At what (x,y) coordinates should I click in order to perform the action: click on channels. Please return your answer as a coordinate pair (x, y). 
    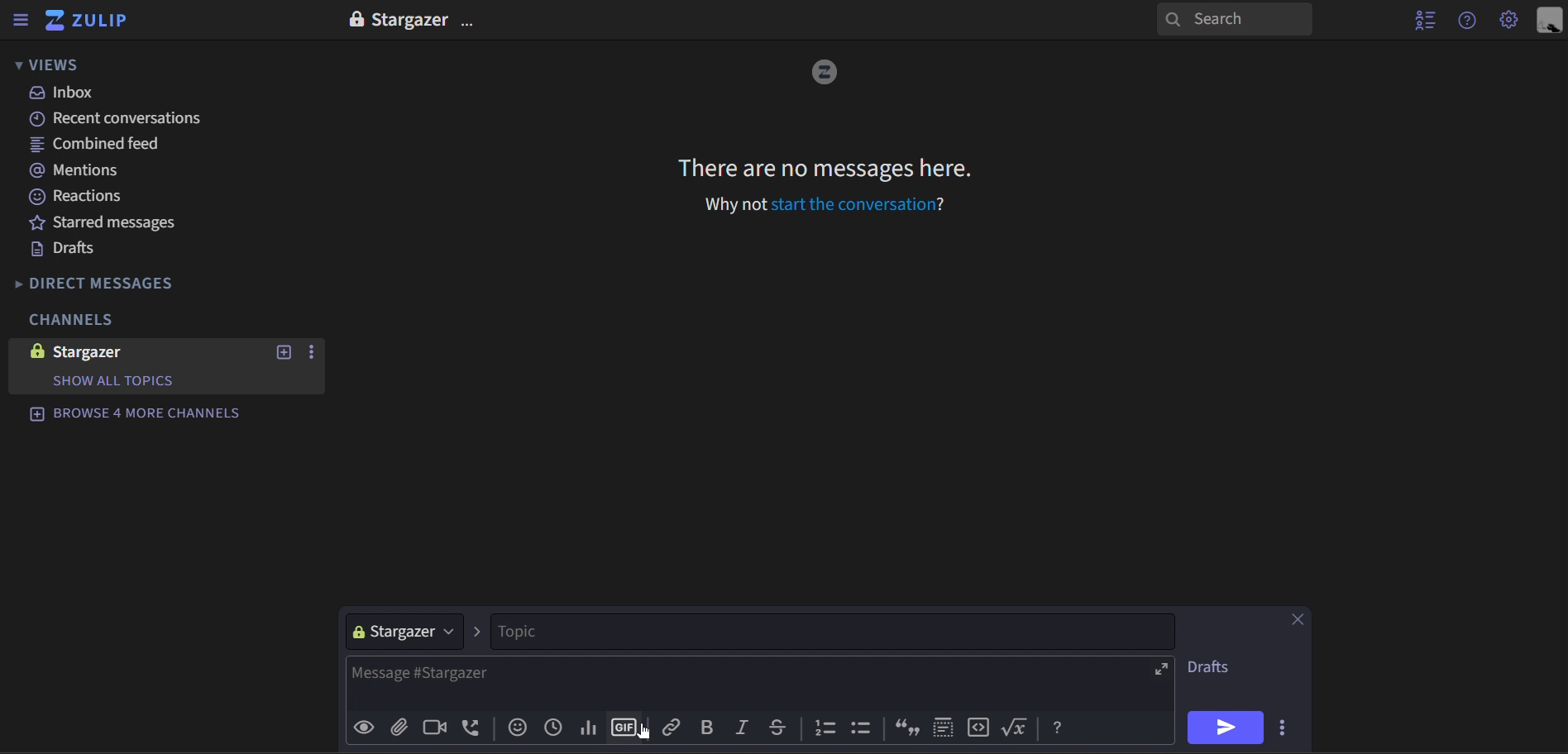
    Looking at the image, I should click on (76, 321).